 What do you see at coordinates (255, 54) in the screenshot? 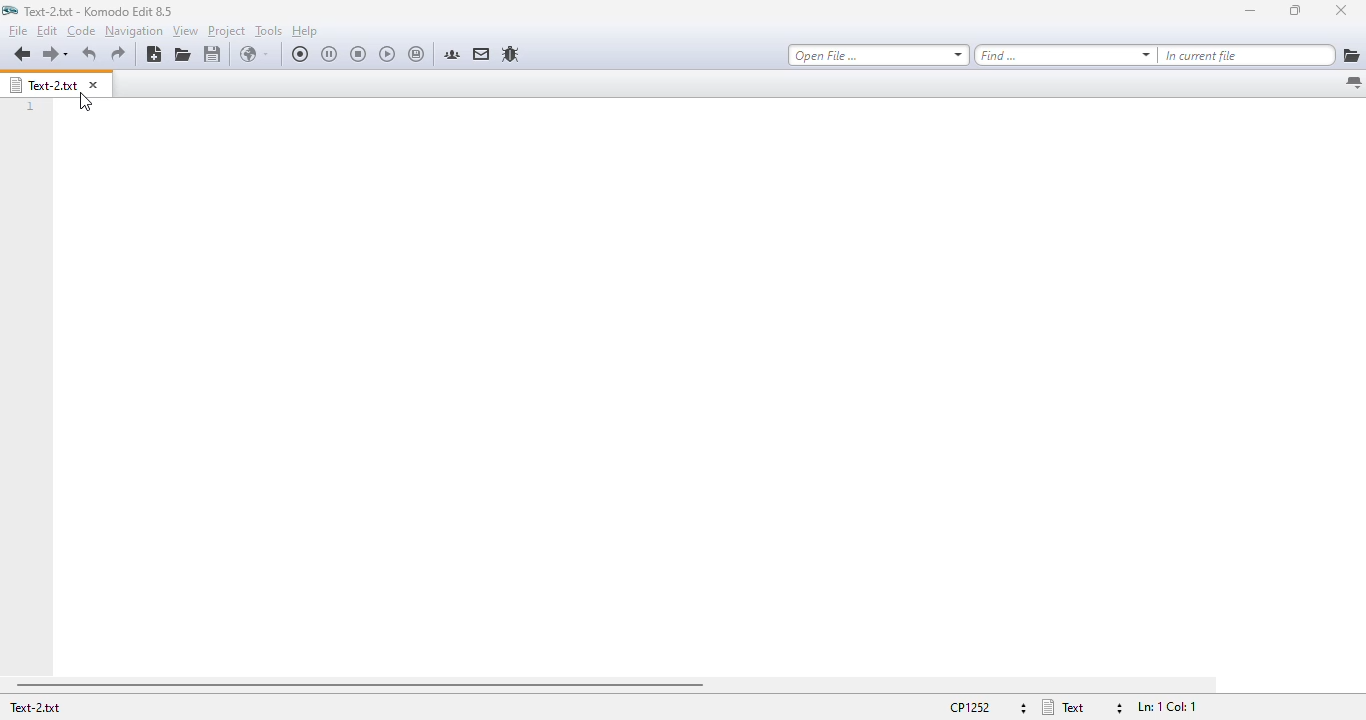
I see `preview buffer in browser` at bounding box center [255, 54].